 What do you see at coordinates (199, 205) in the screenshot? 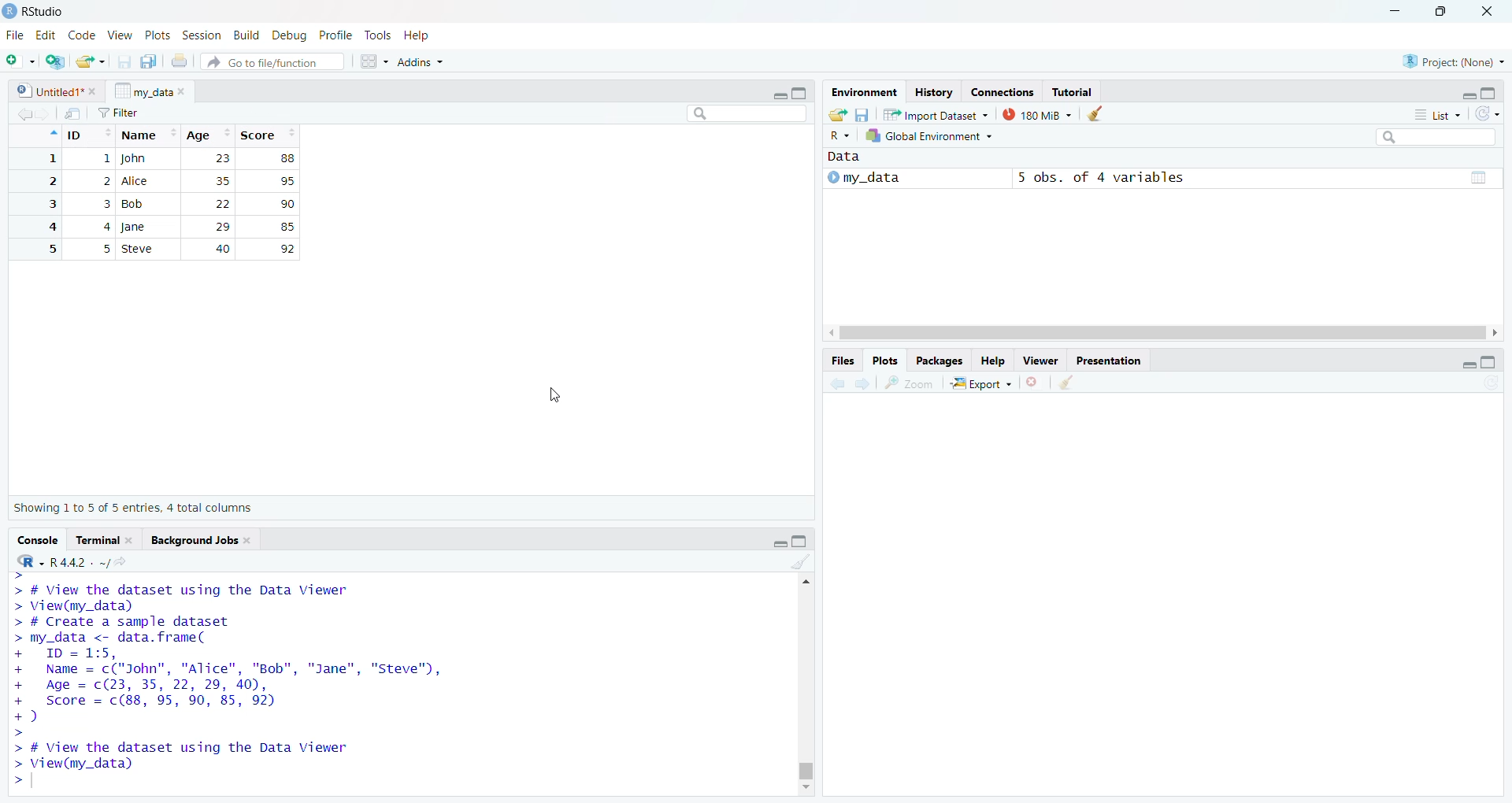
I see `1 John 23 88
2 Alice 35 95
3 Bob 22 90
4 Jane 29 85
5 Steve 40 92` at bounding box center [199, 205].